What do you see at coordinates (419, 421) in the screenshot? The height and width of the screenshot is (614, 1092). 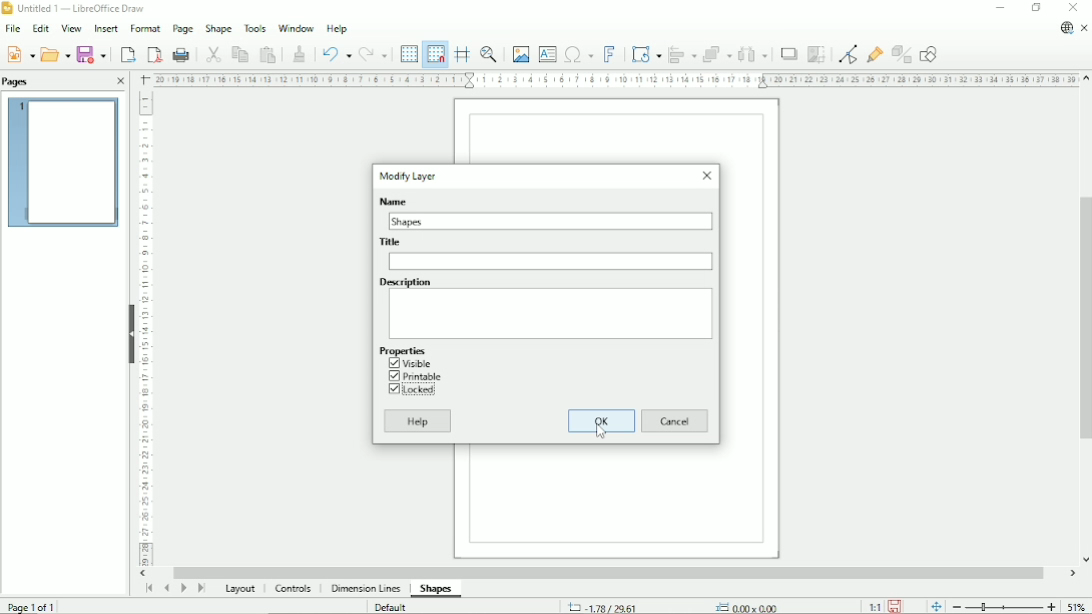 I see `Help` at bounding box center [419, 421].